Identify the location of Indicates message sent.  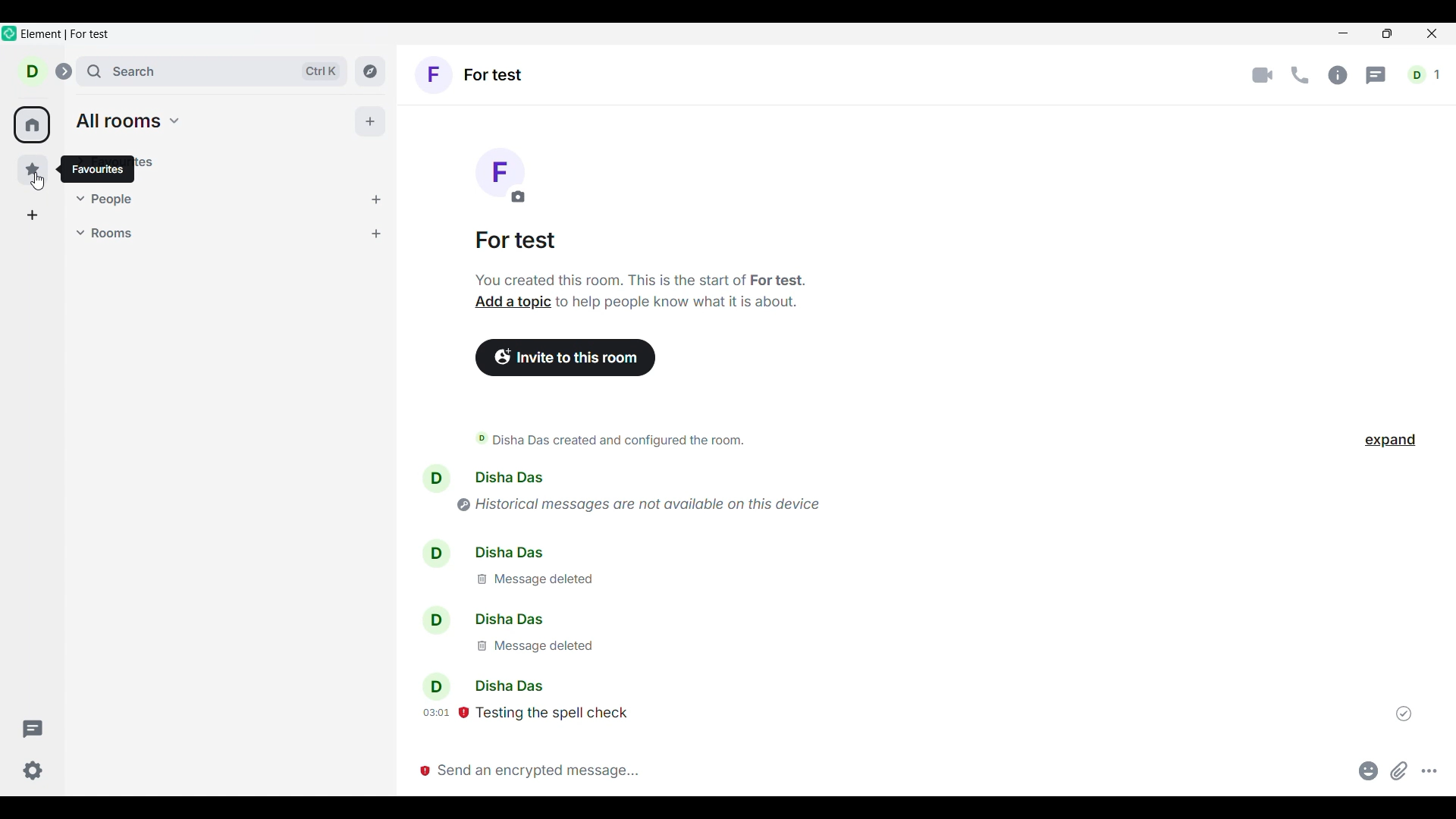
(1404, 714).